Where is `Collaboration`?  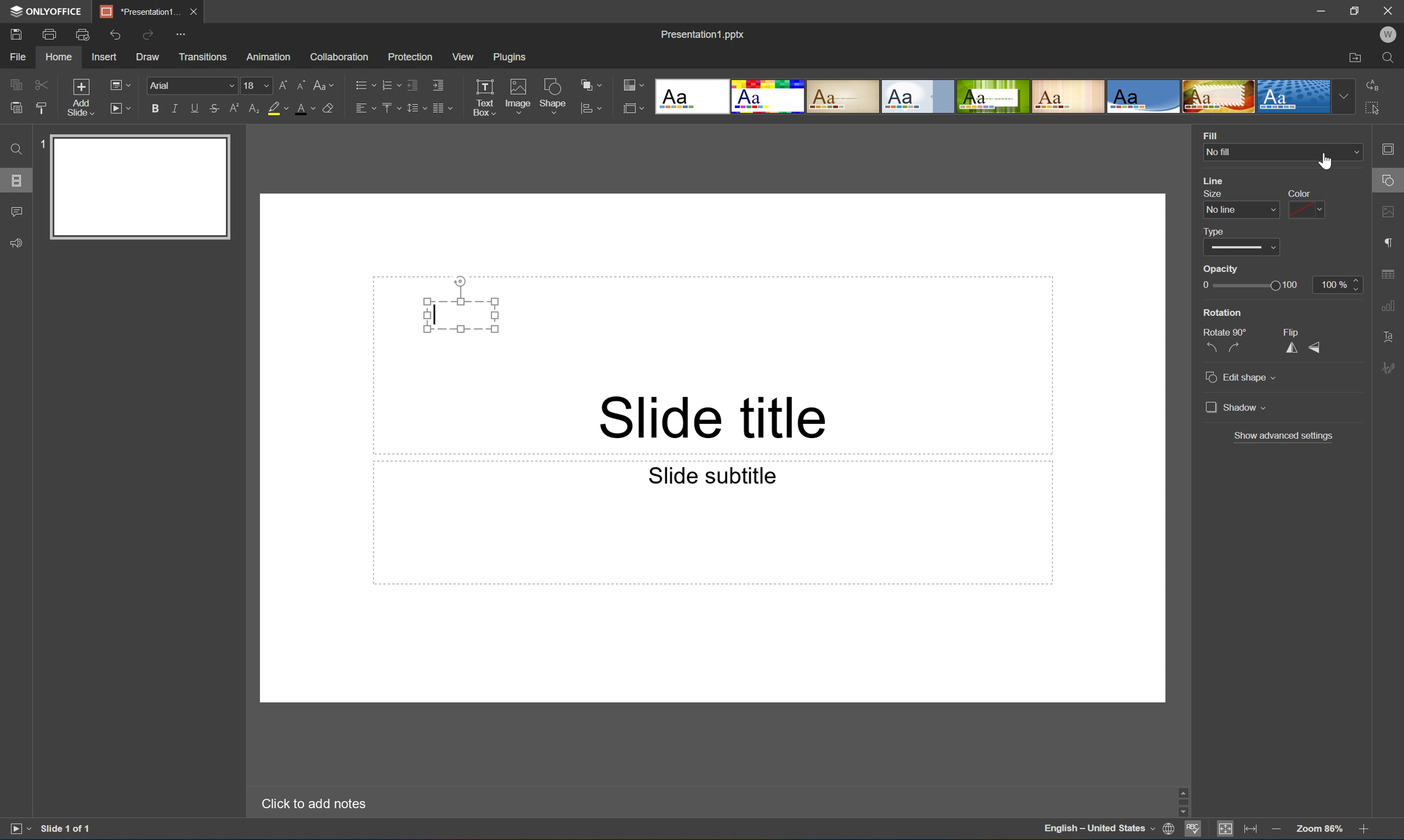 Collaboration is located at coordinates (337, 56).